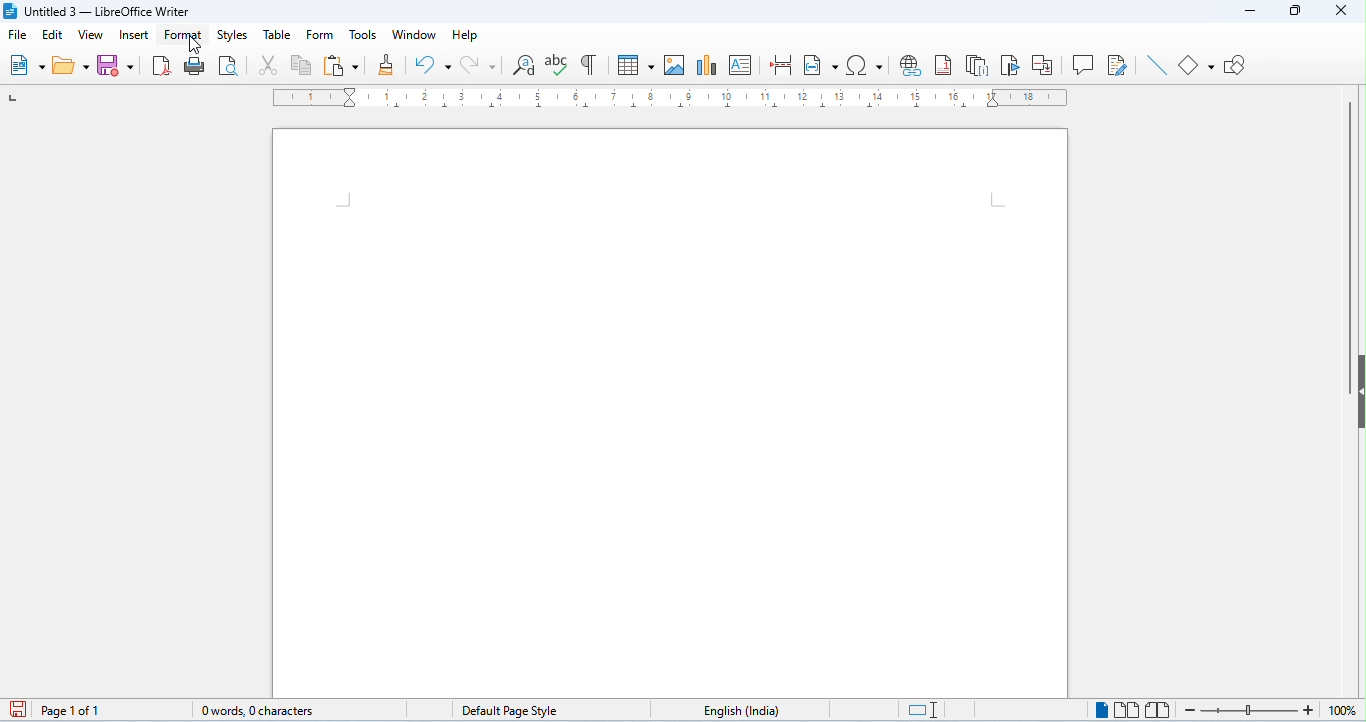 This screenshot has width=1366, height=722. Describe the element at coordinates (479, 65) in the screenshot. I see `redo` at that location.